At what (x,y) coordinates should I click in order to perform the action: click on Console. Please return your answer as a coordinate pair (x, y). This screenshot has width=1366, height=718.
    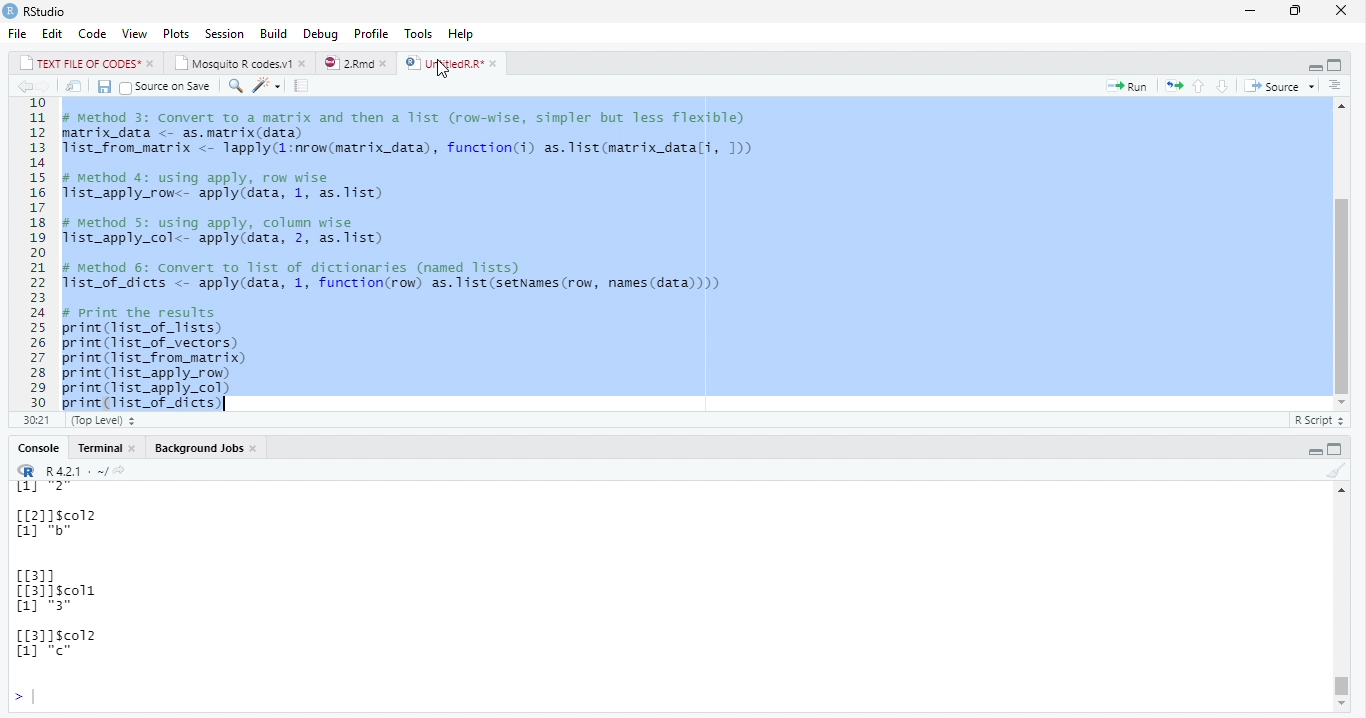
    Looking at the image, I should click on (39, 447).